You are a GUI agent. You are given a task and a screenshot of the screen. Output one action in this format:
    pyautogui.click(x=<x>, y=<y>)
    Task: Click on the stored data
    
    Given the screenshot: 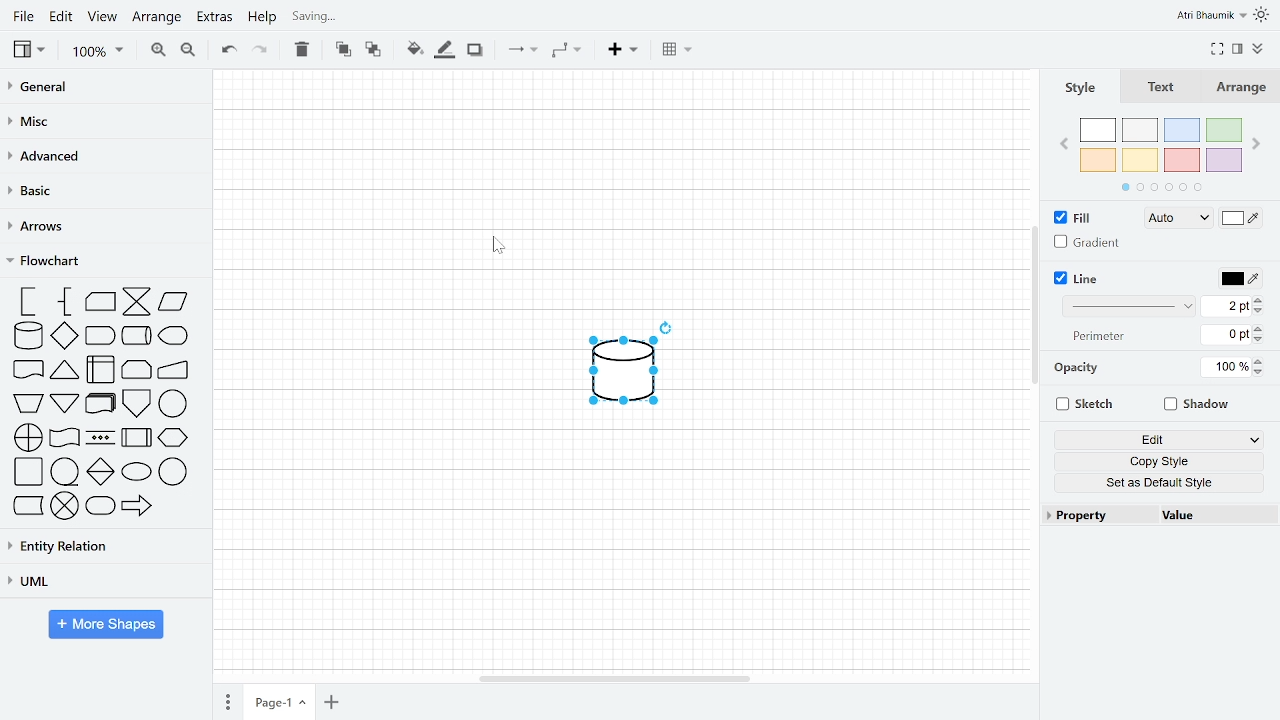 What is the action you would take?
    pyautogui.click(x=26, y=507)
    